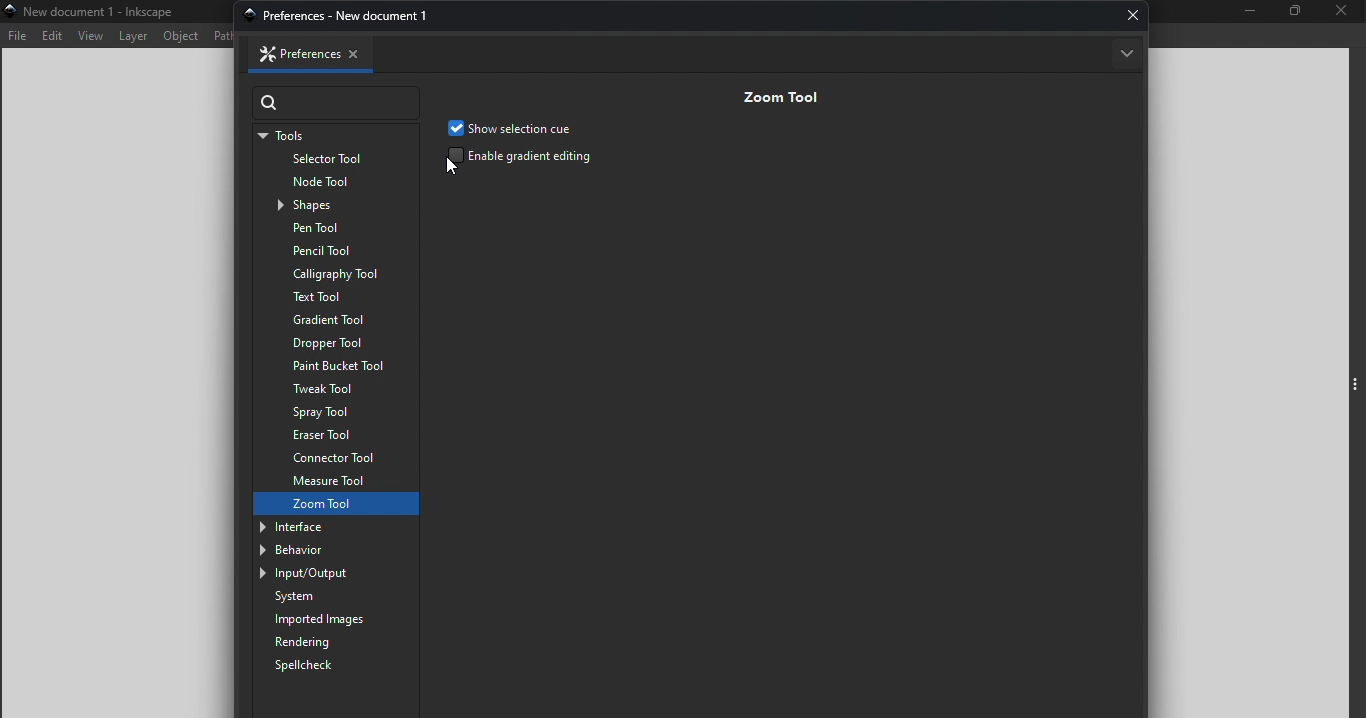 This screenshot has width=1366, height=718. What do you see at coordinates (780, 96) in the screenshot?
I see `Zoom tool` at bounding box center [780, 96].